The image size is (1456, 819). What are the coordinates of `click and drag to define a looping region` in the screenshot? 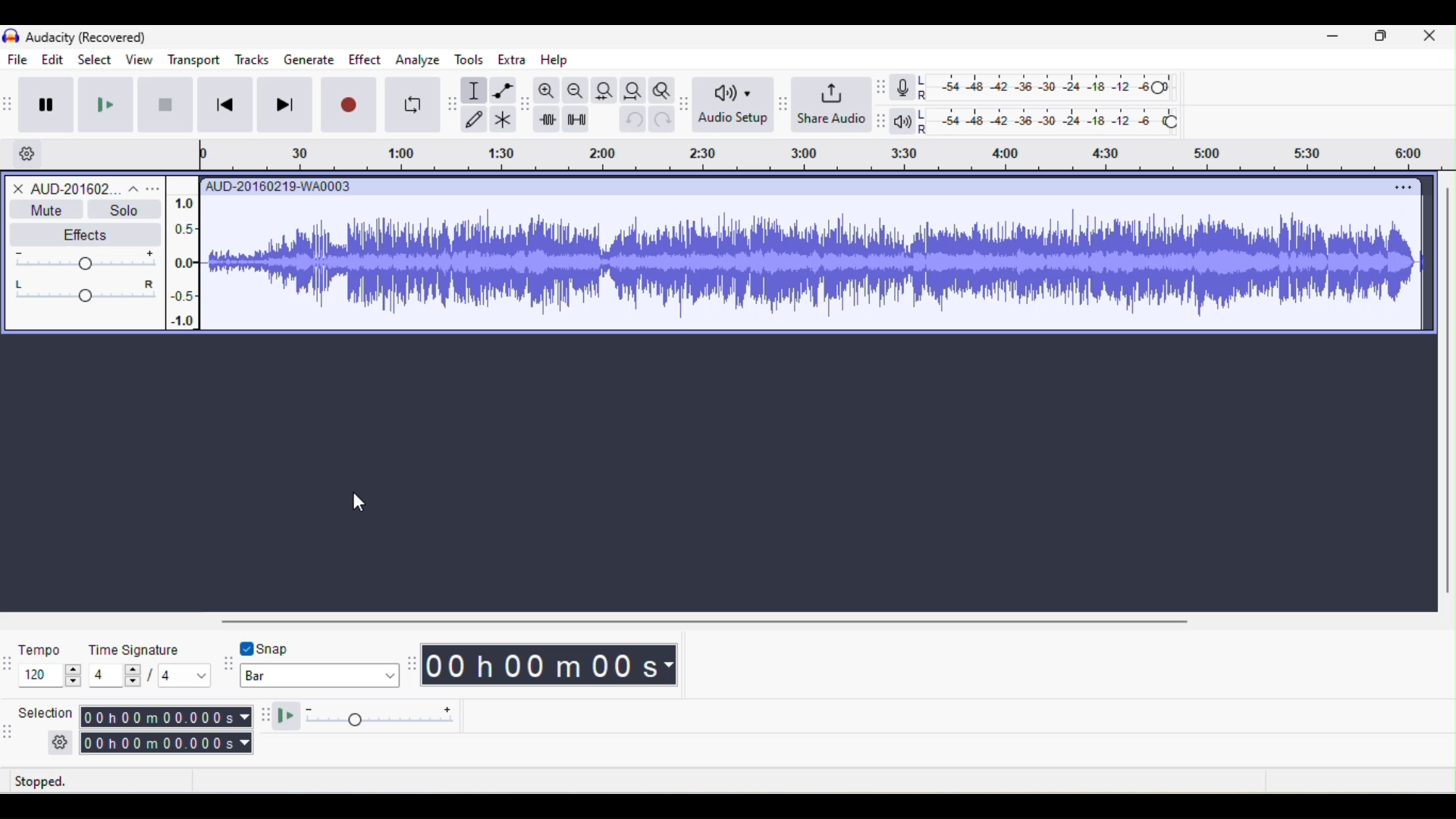 It's located at (820, 155).